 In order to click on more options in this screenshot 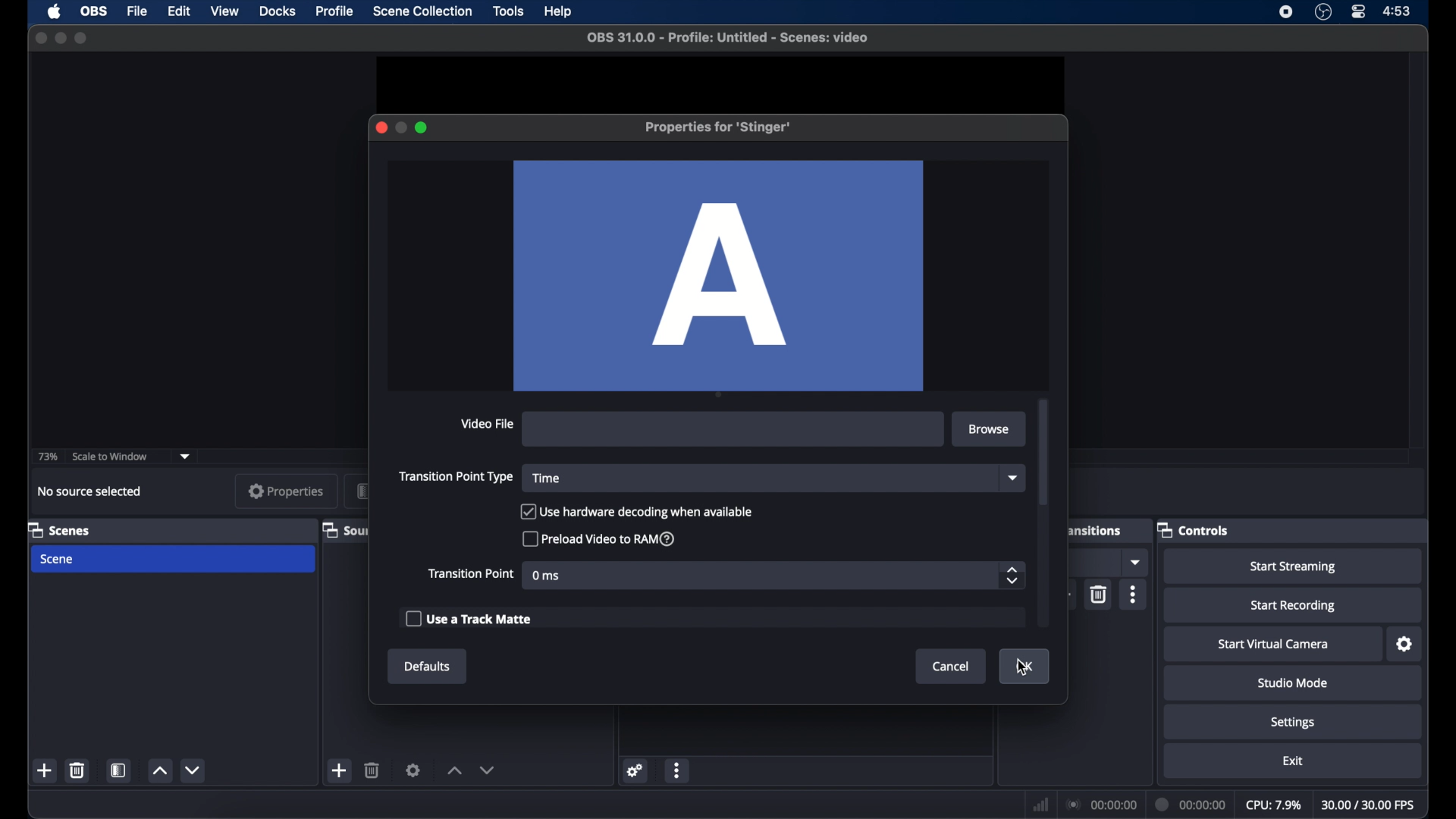, I will do `click(1136, 595)`.